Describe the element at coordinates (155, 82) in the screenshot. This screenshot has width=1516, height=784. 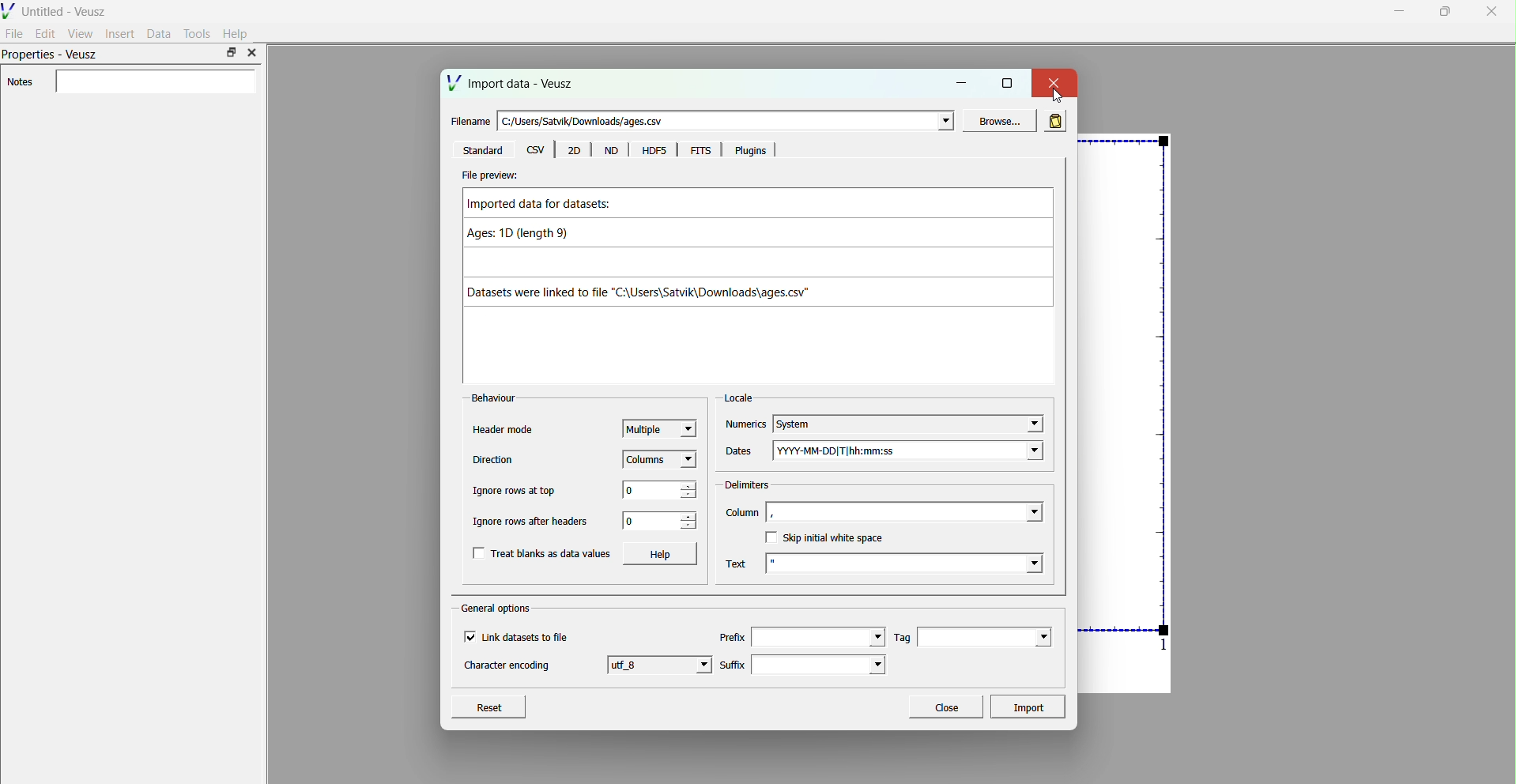
I see `enter notes field` at that location.